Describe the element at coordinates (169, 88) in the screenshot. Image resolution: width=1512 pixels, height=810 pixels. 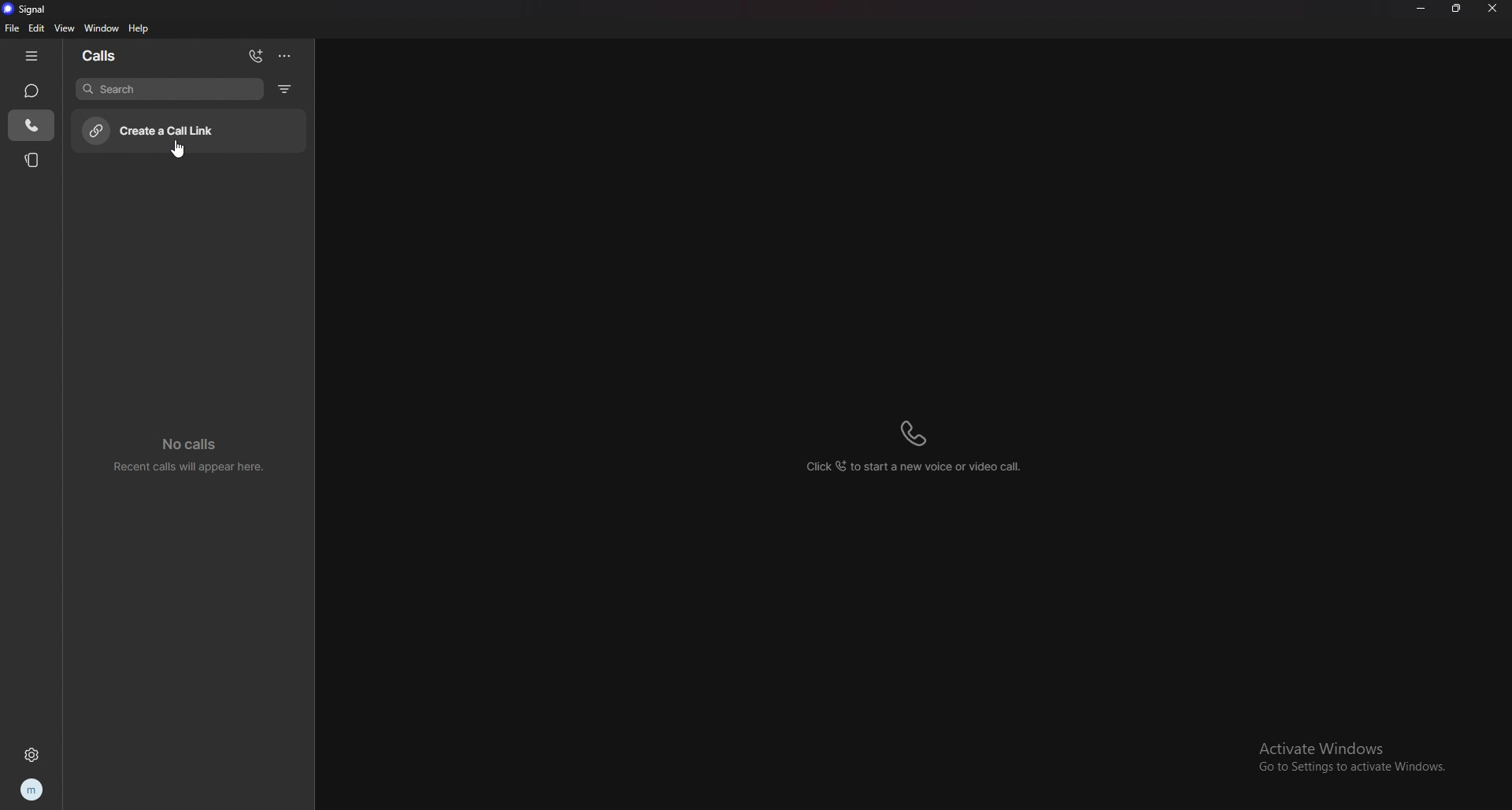
I see `search` at that location.